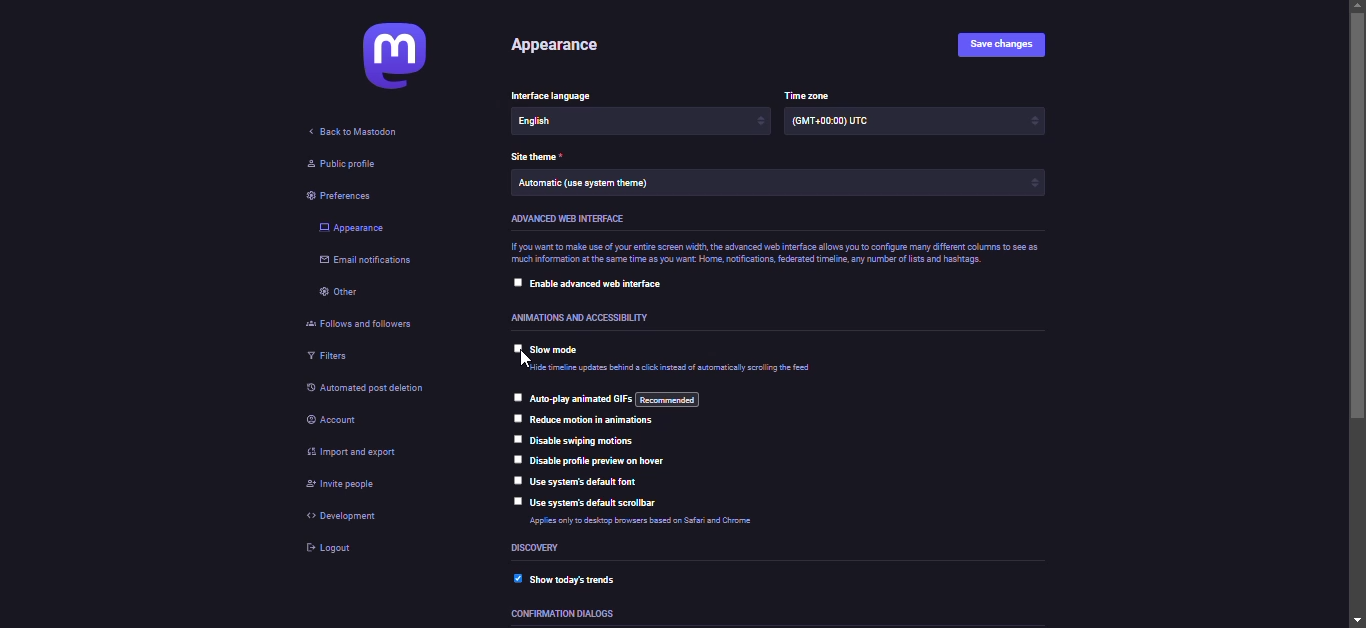 The width and height of the screenshot is (1366, 628). What do you see at coordinates (536, 549) in the screenshot?
I see `discovery` at bounding box center [536, 549].